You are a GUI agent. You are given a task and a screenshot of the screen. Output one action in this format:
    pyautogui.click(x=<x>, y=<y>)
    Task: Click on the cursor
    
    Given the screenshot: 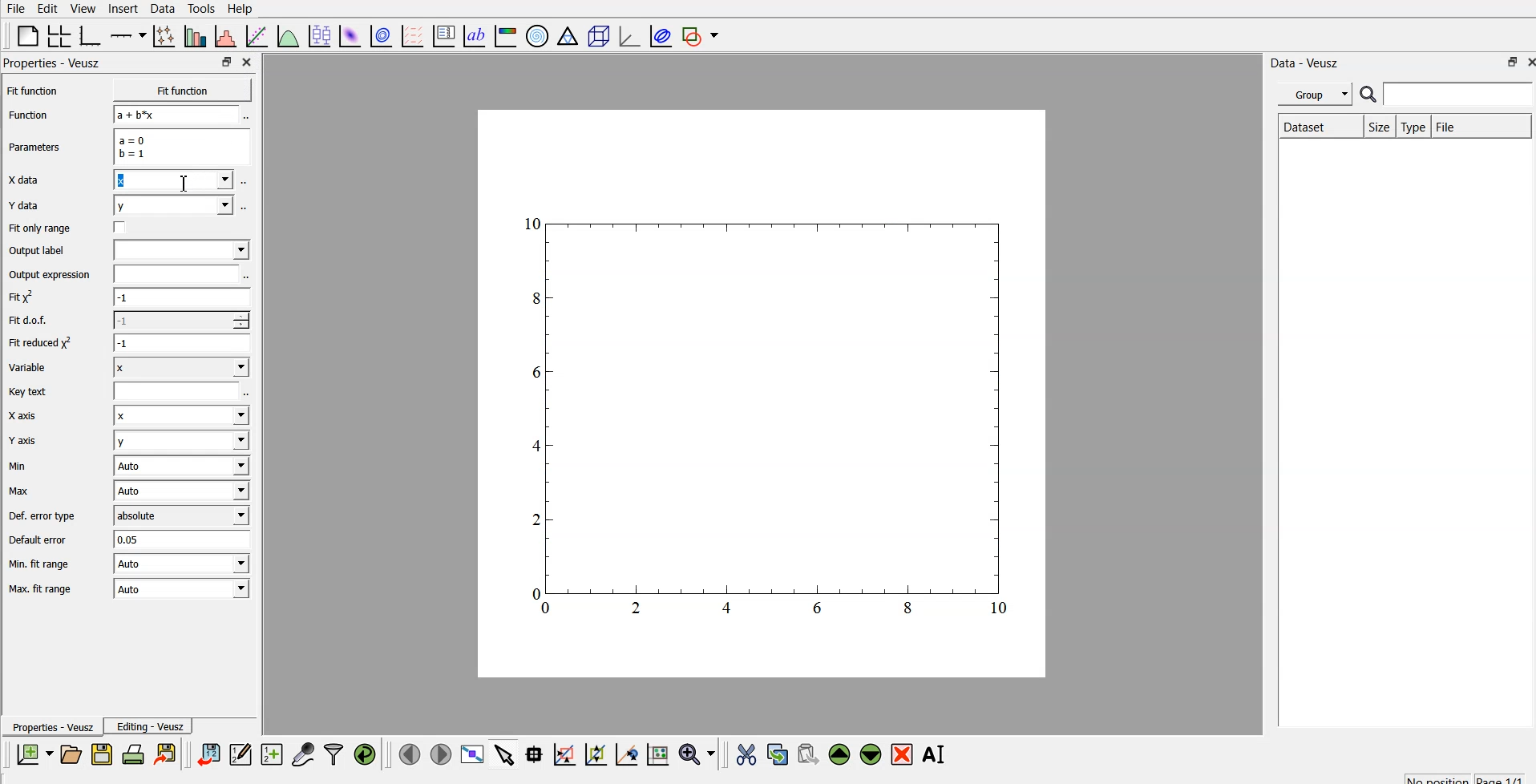 What is the action you would take?
    pyautogui.click(x=182, y=183)
    